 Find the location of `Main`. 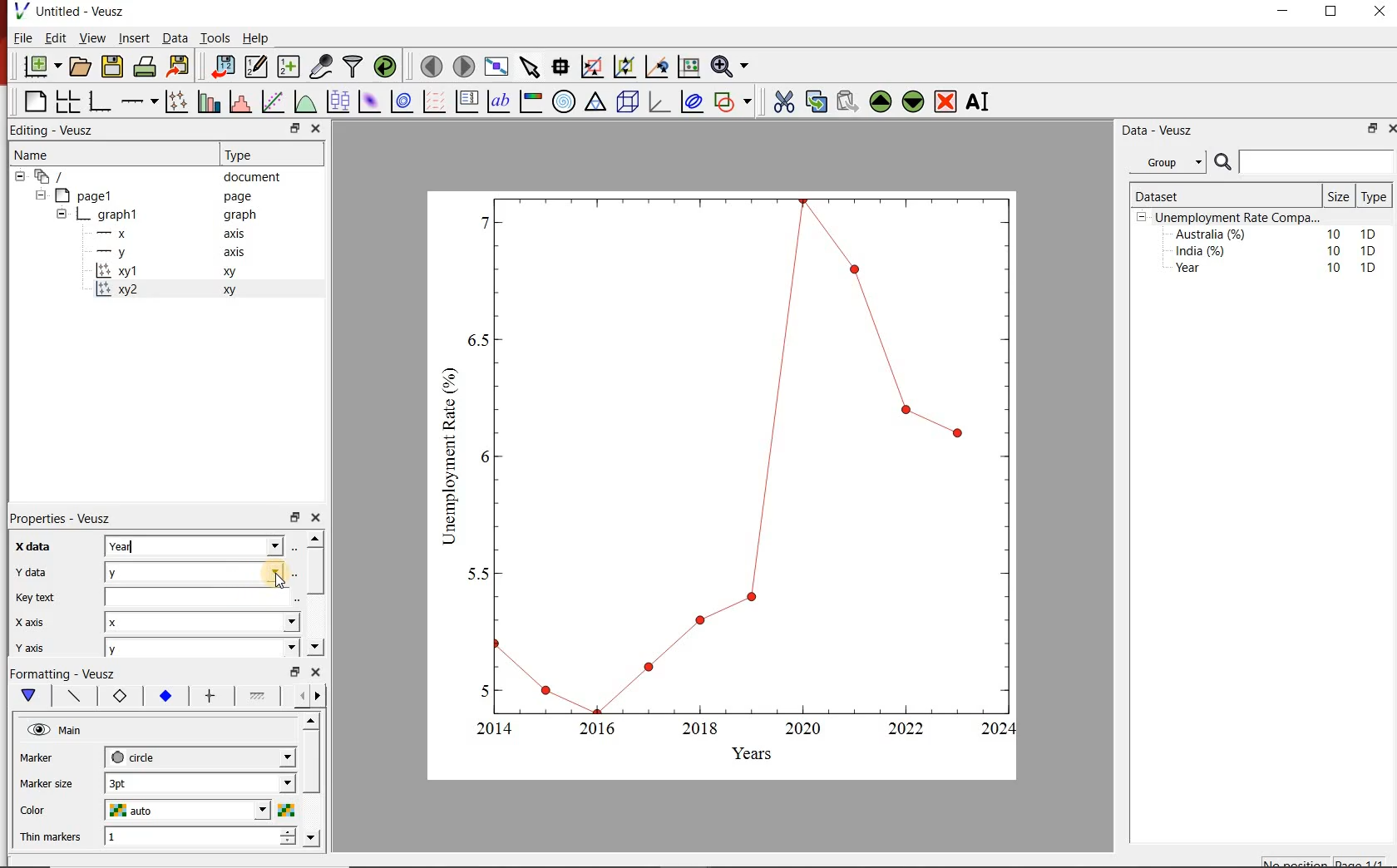

Main is located at coordinates (72, 731).